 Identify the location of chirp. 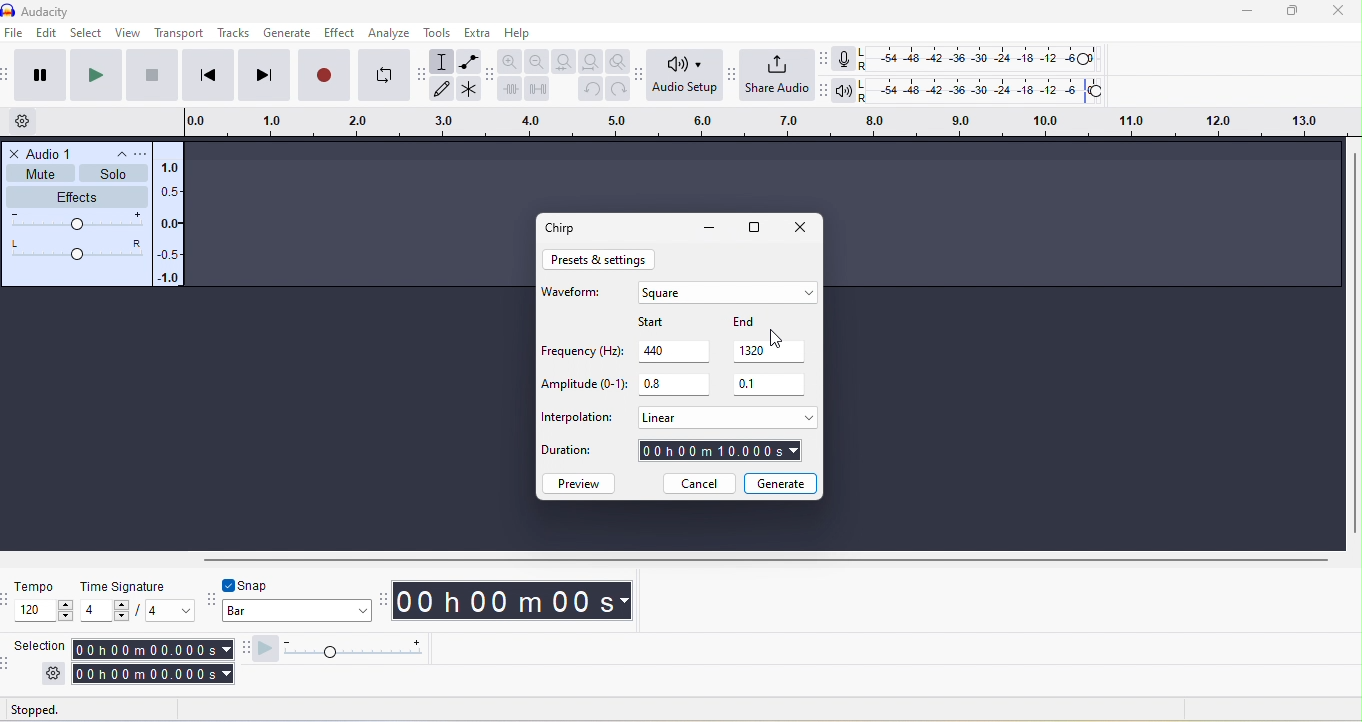
(565, 227).